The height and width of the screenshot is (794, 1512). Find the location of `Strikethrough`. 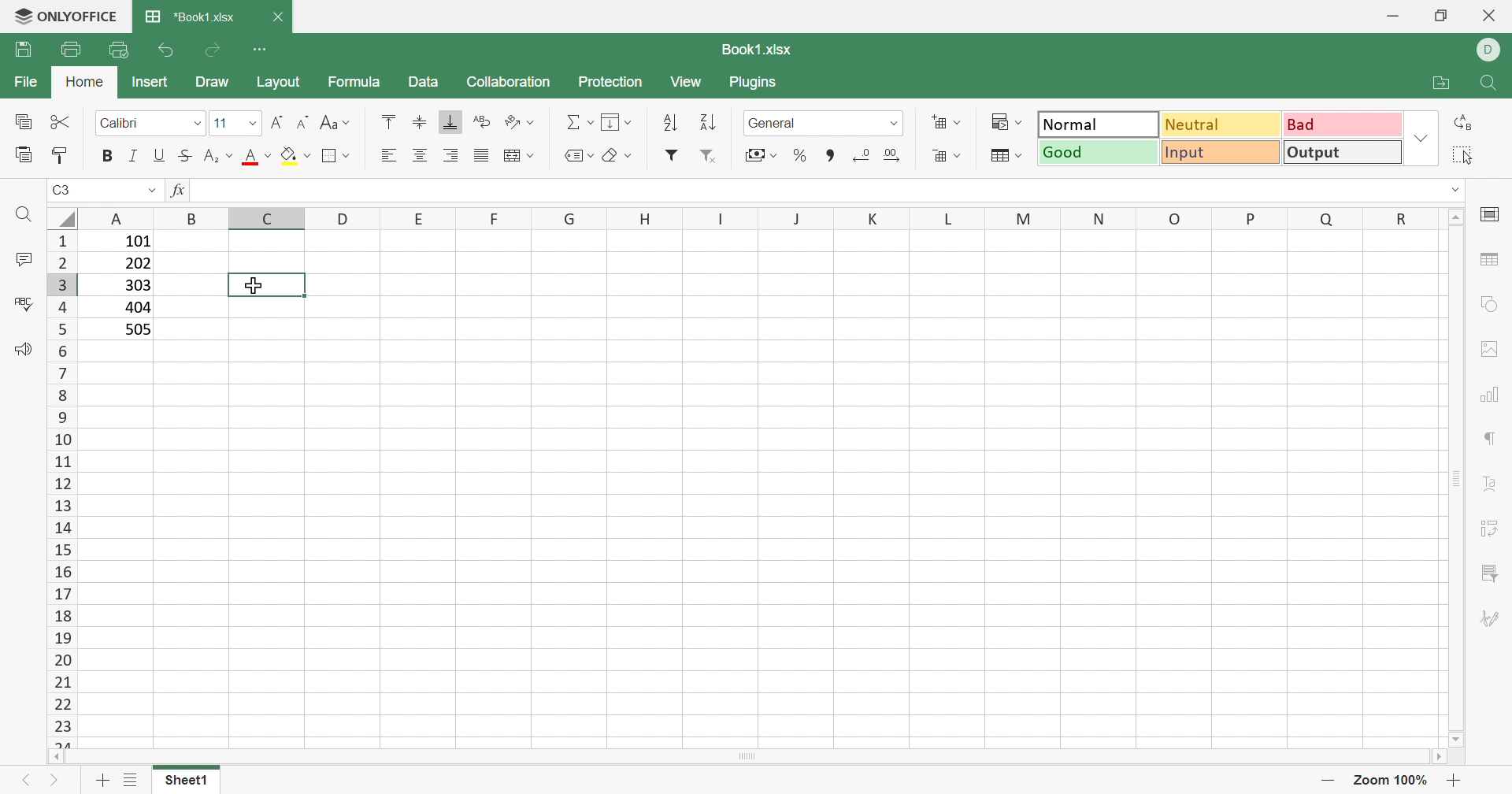

Strikethrough is located at coordinates (185, 157).